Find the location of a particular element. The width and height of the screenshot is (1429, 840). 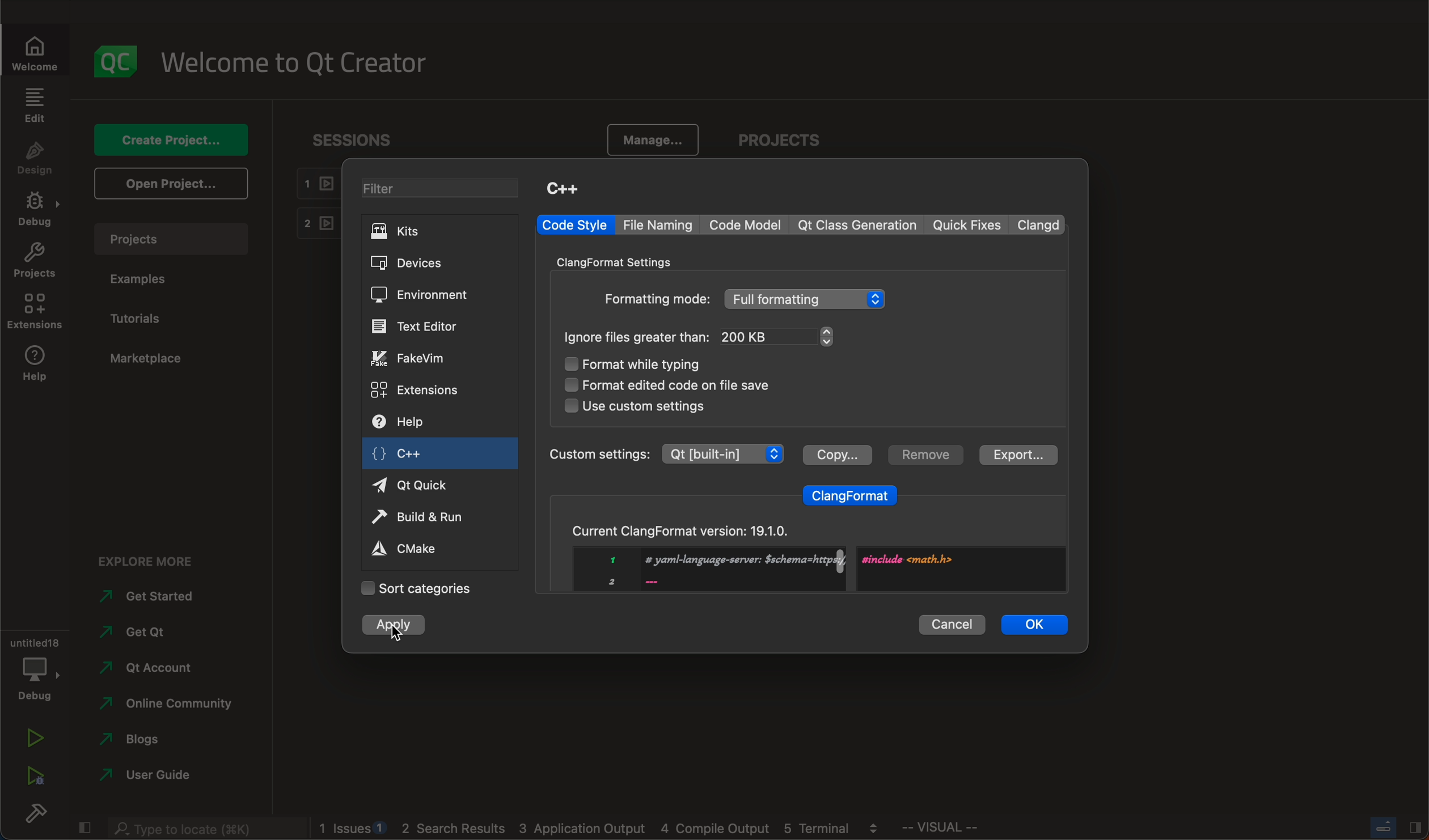

custom setting is located at coordinates (665, 453).